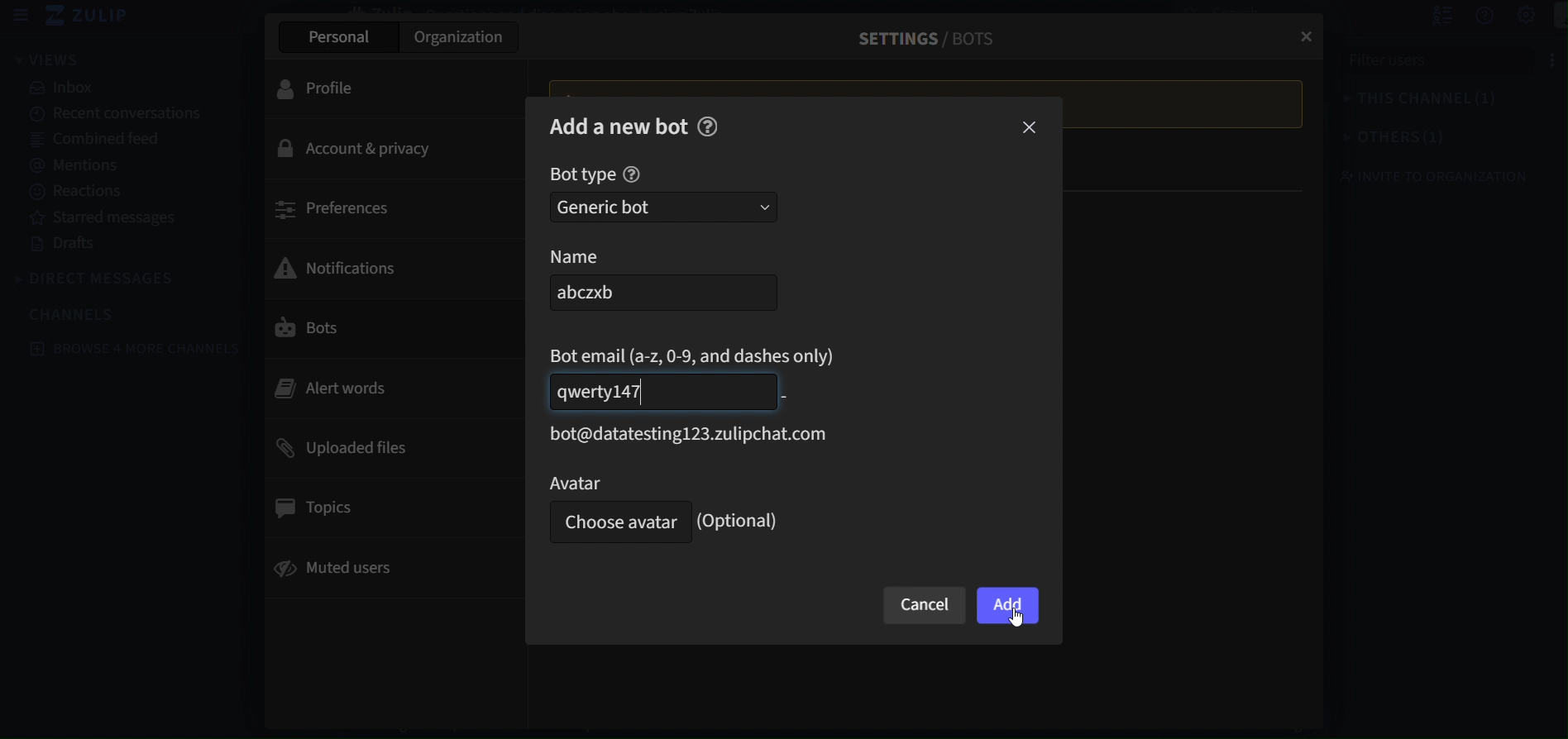  Describe the element at coordinates (1021, 623) in the screenshot. I see `Cursor` at that location.